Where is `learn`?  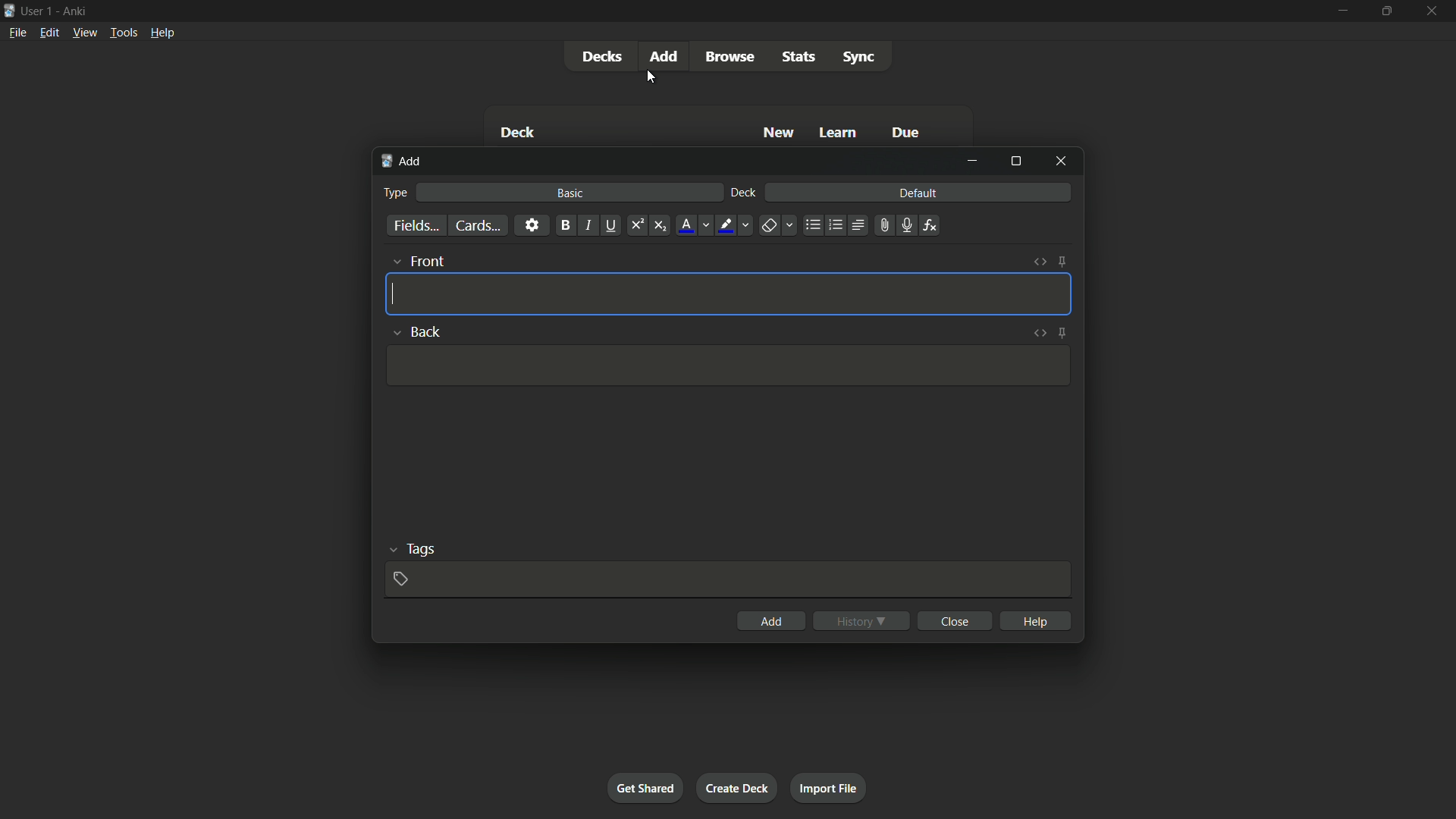 learn is located at coordinates (838, 133).